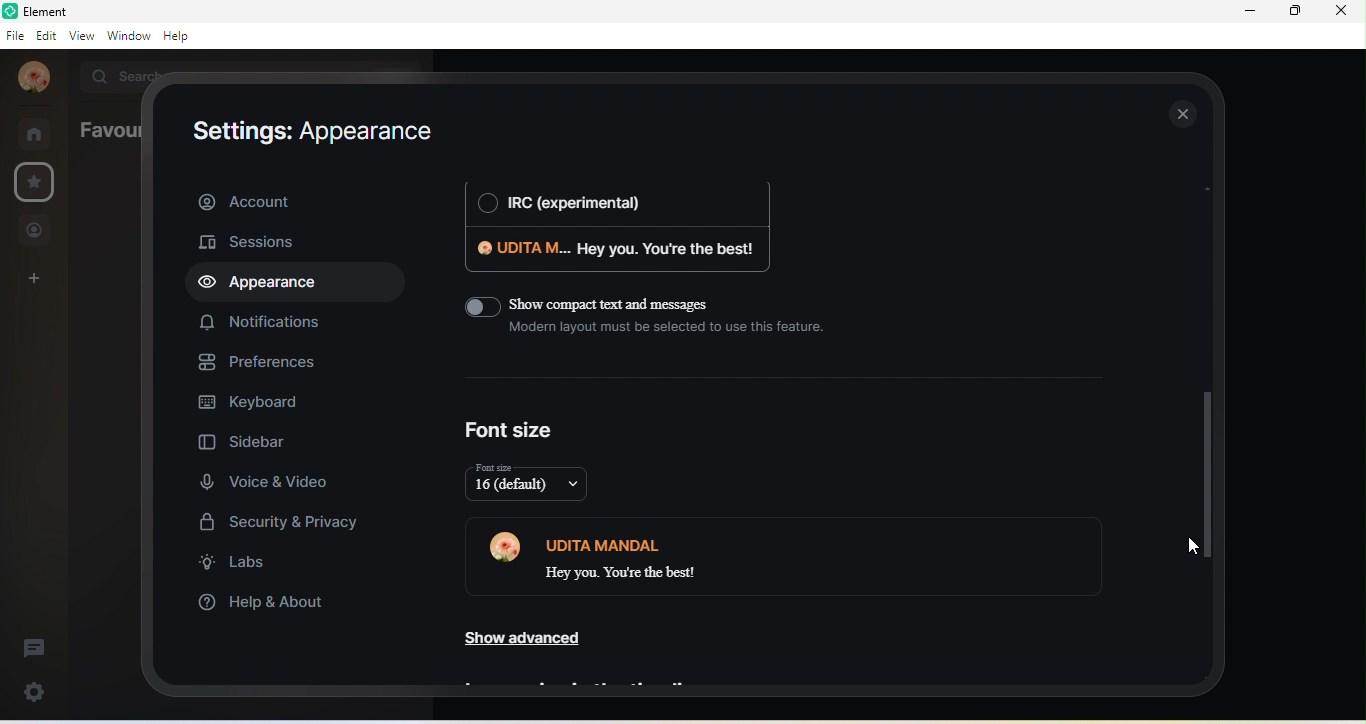 This screenshot has height=724, width=1366. I want to click on view, so click(80, 36).